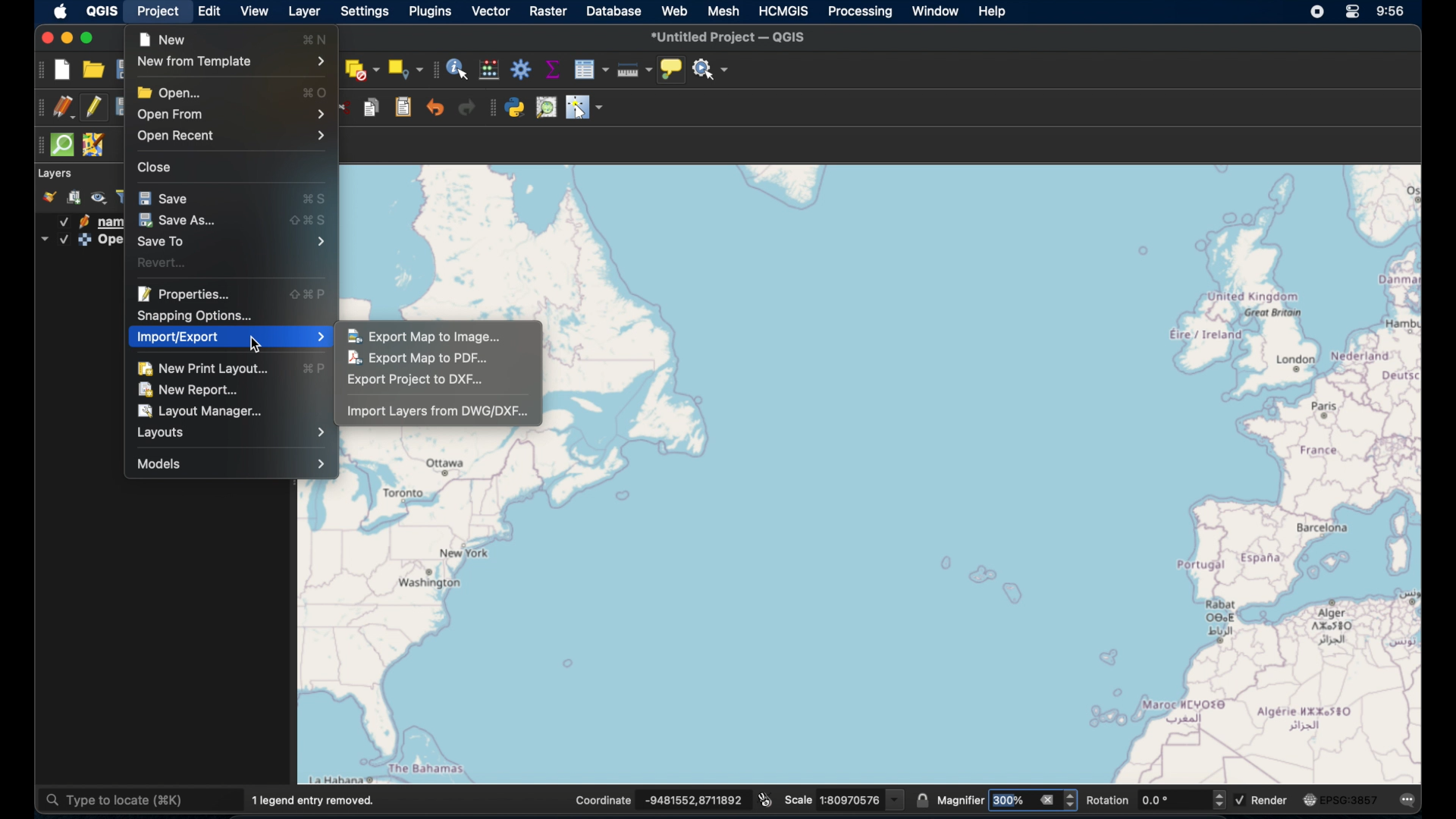 Image resolution: width=1456 pixels, height=819 pixels. I want to click on manage map themes, so click(99, 198).